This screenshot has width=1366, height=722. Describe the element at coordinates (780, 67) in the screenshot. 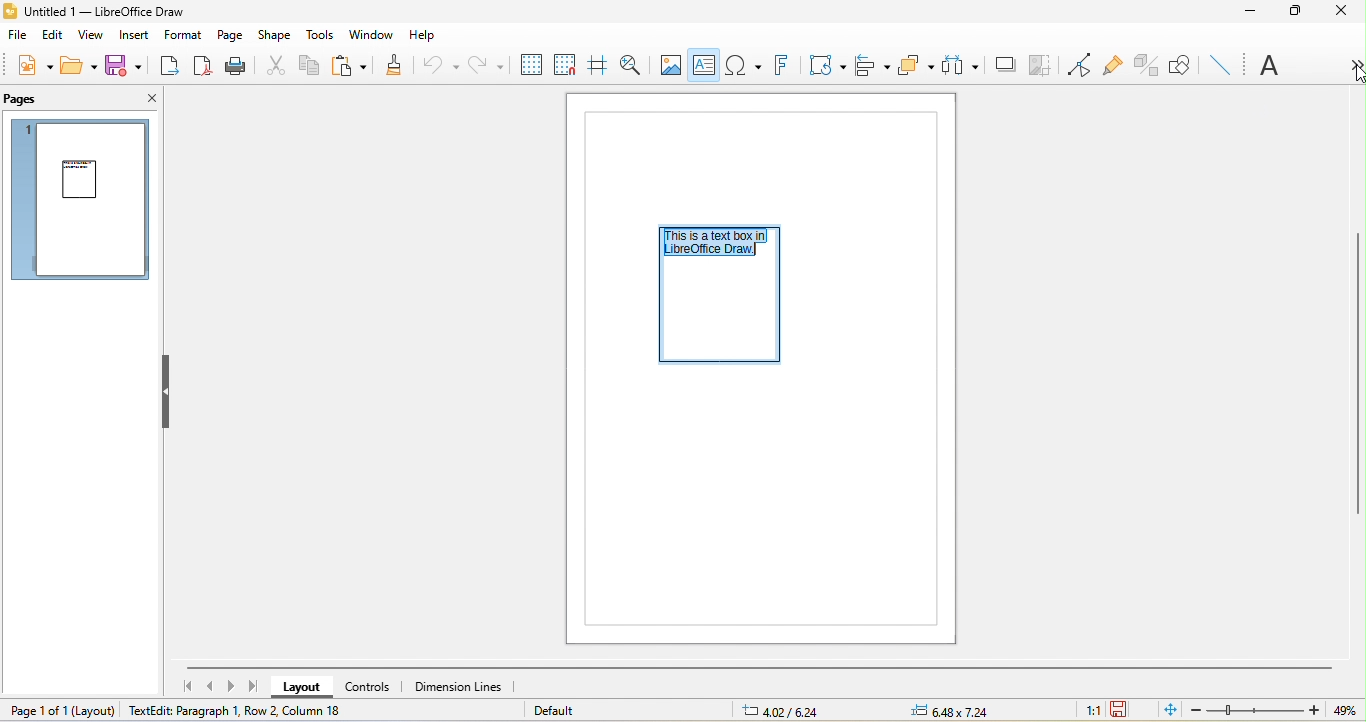

I see `fontwork text` at that location.